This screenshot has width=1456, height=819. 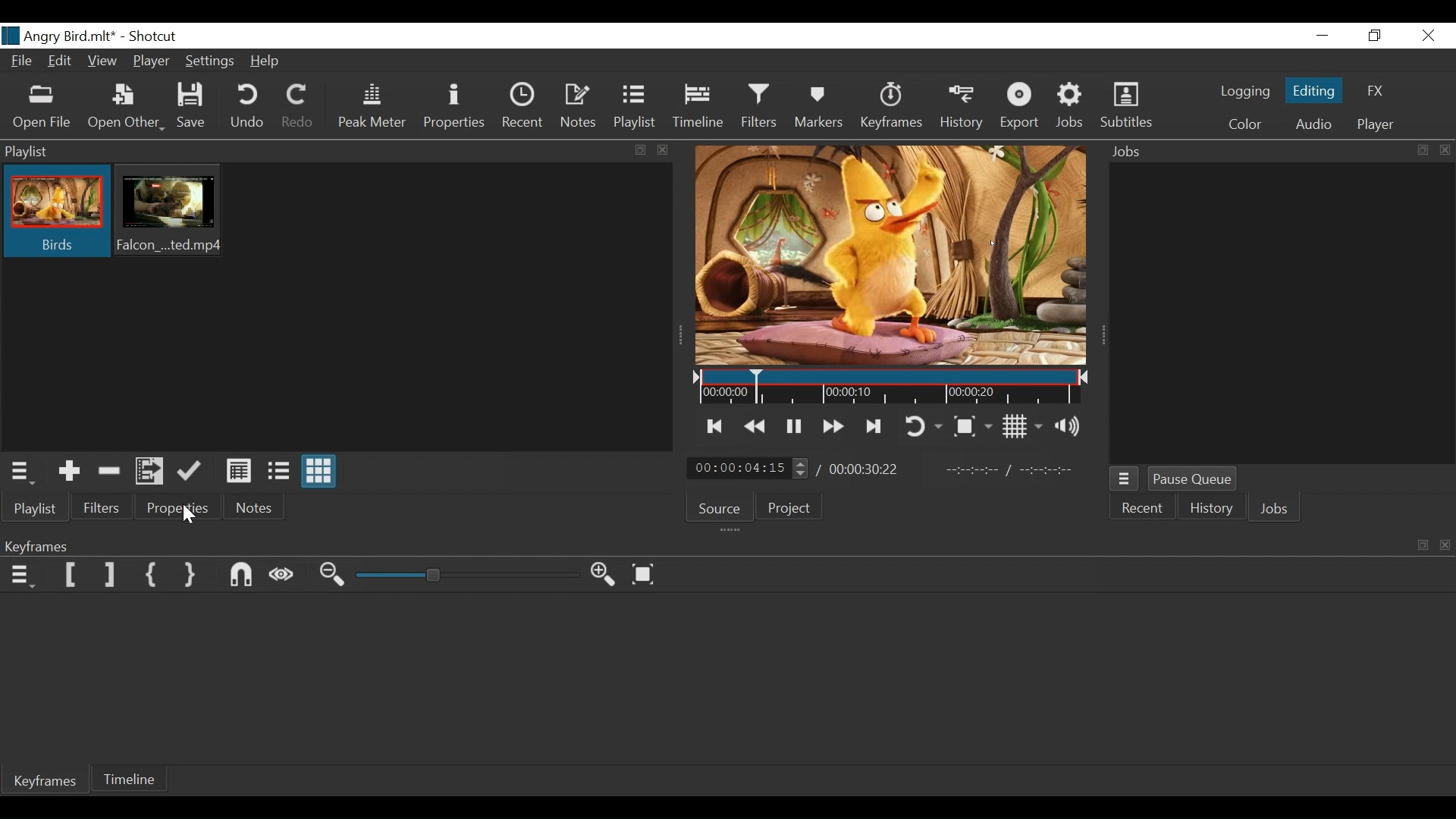 What do you see at coordinates (256, 507) in the screenshot?
I see `Notes` at bounding box center [256, 507].